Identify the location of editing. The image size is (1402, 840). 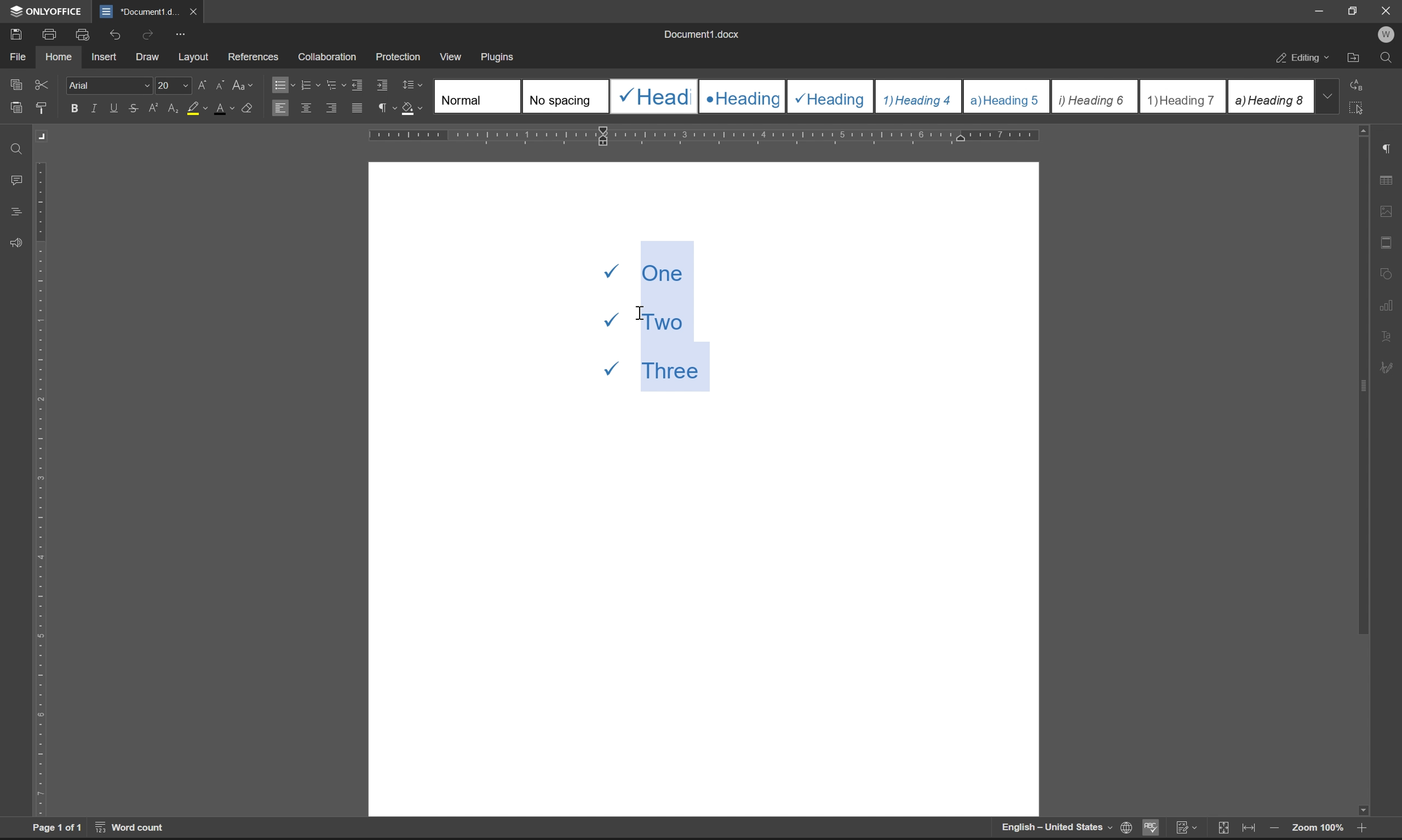
(1304, 59).